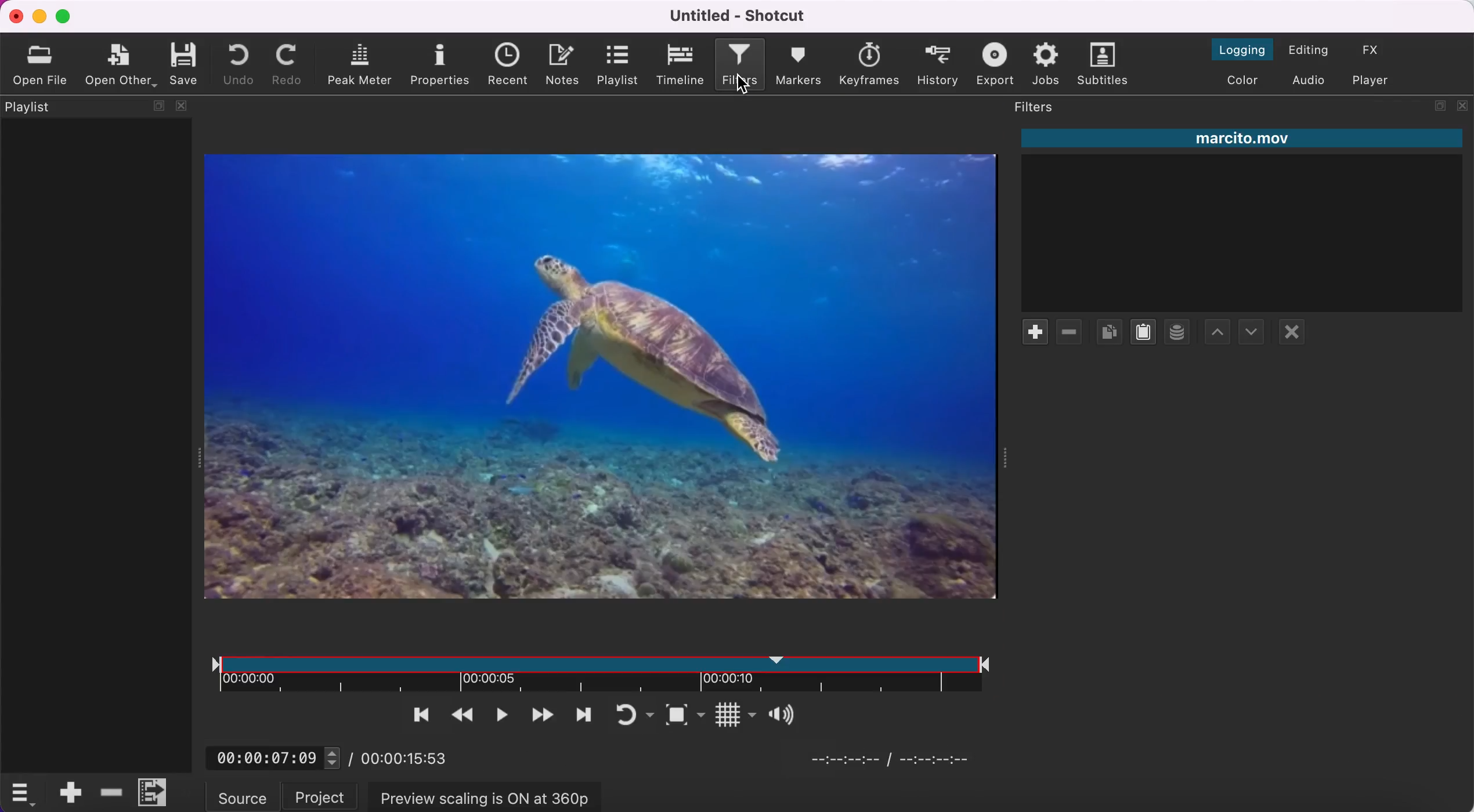 The width and height of the screenshot is (1474, 812). Describe the element at coordinates (1463, 109) in the screenshot. I see `close` at that location.